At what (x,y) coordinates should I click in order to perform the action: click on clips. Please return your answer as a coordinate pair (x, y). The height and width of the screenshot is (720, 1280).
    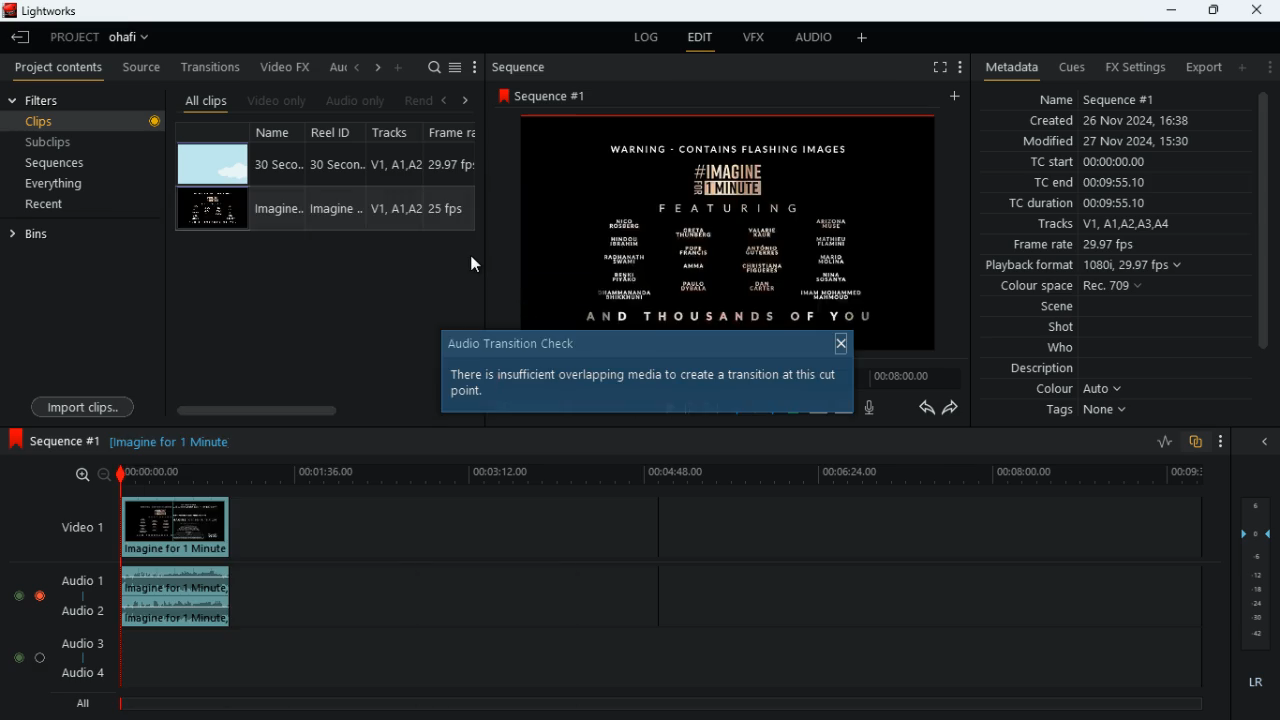
    Looking at the image, I should click on (86, 122).